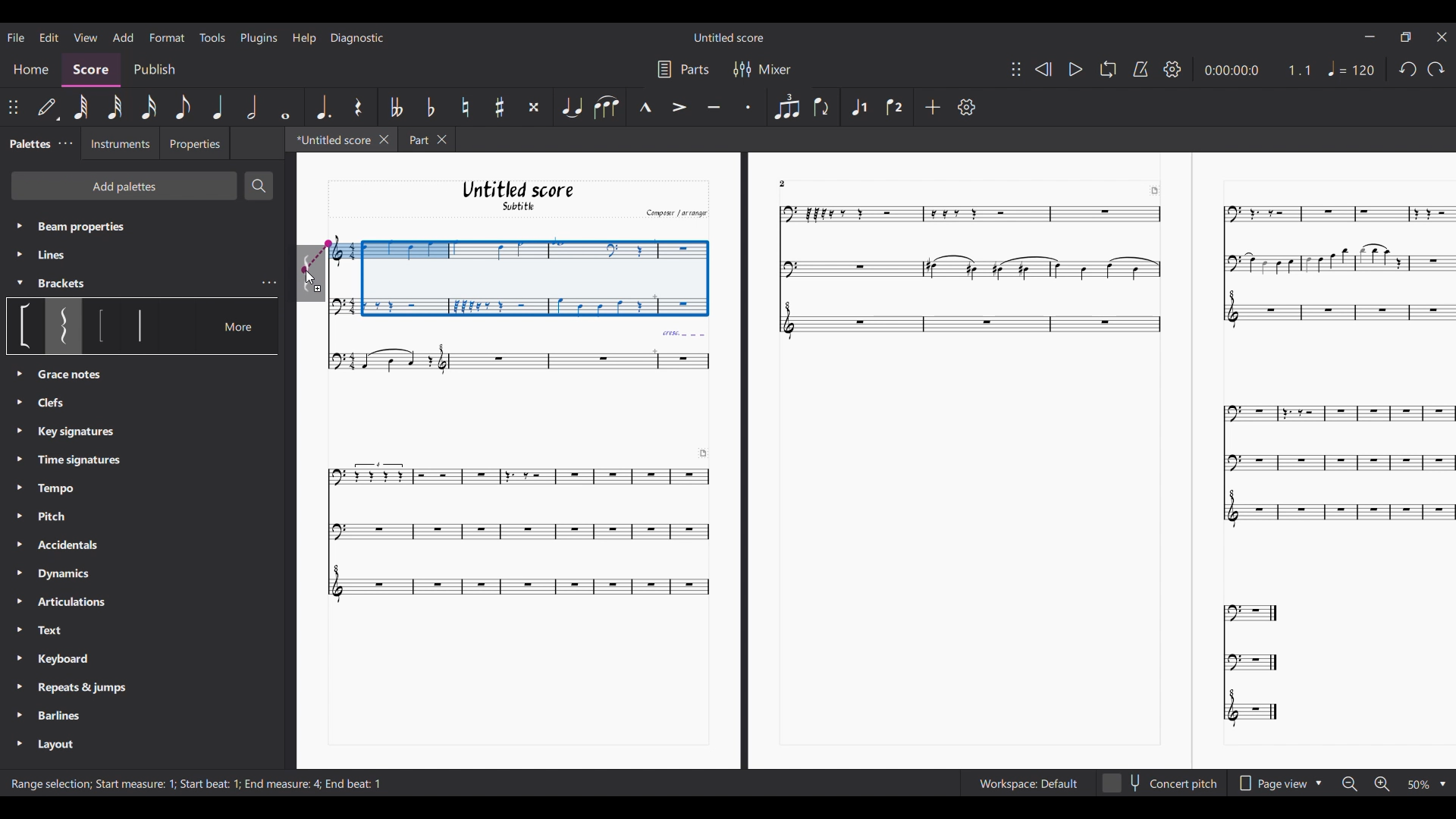  I want to click on Beam properties, so click(118, 226).